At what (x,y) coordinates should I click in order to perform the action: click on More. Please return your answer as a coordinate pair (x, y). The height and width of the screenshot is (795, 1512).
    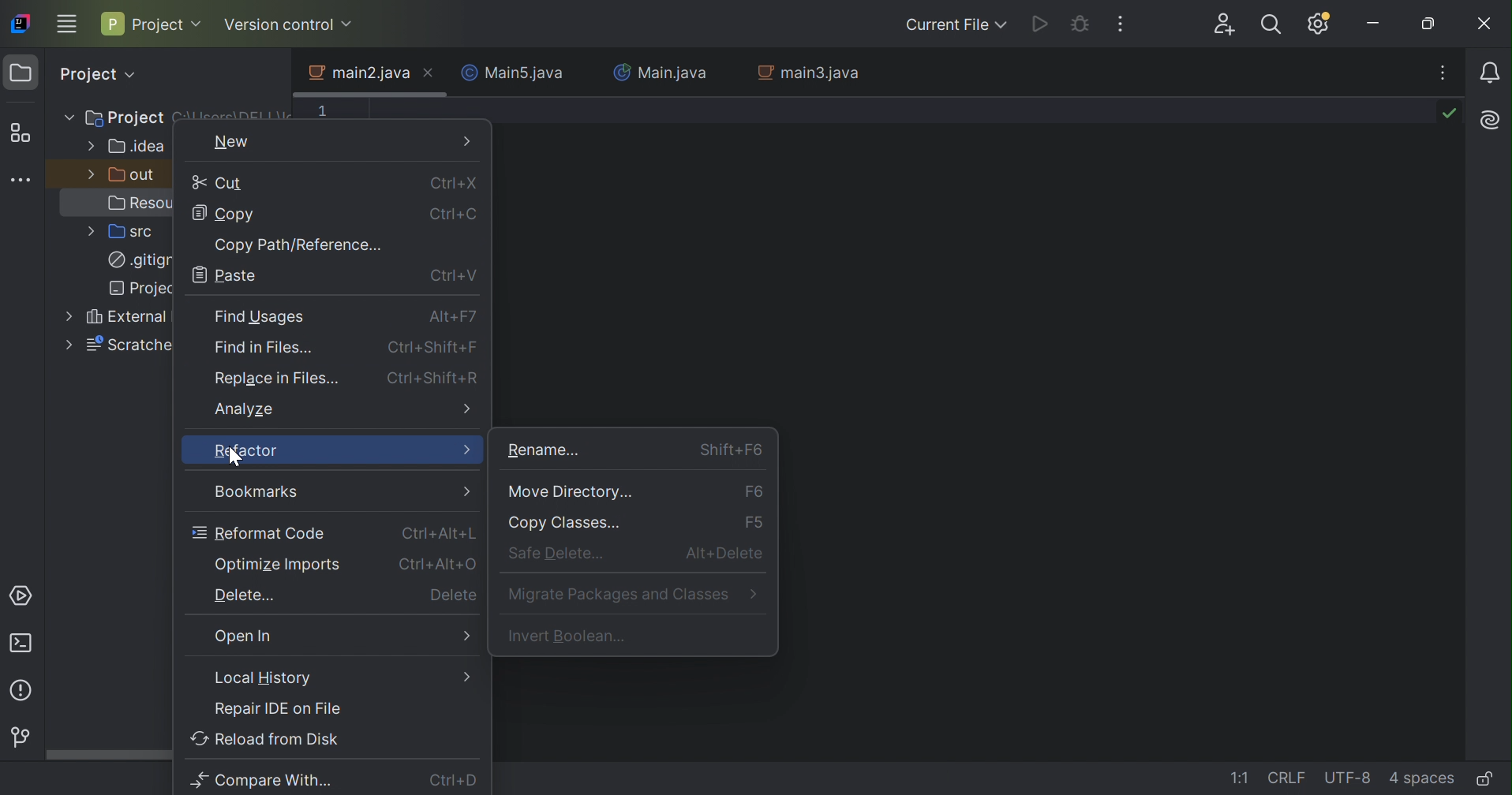
    Looking at the image, I should click on (469, 677).